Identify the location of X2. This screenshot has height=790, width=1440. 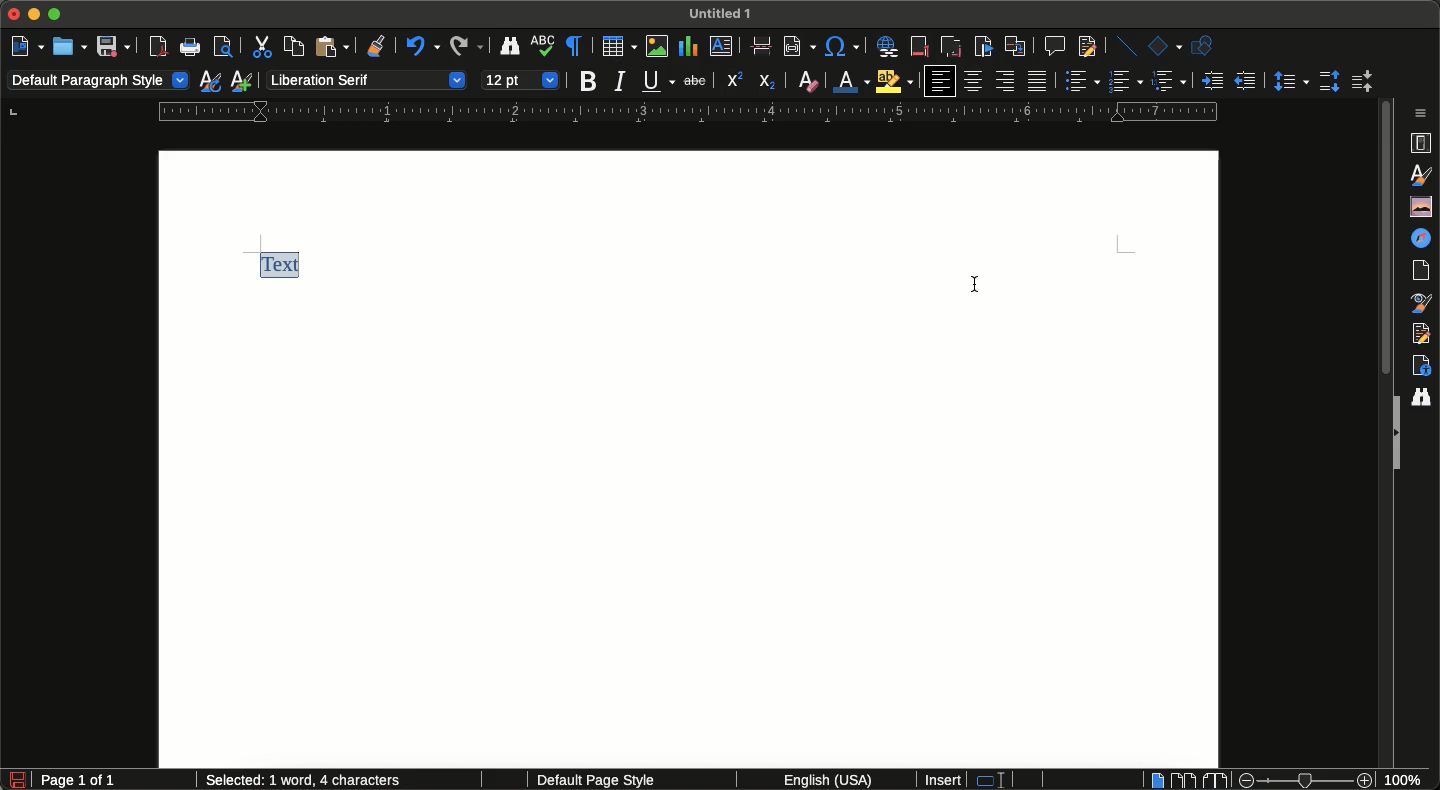
(767, 82).